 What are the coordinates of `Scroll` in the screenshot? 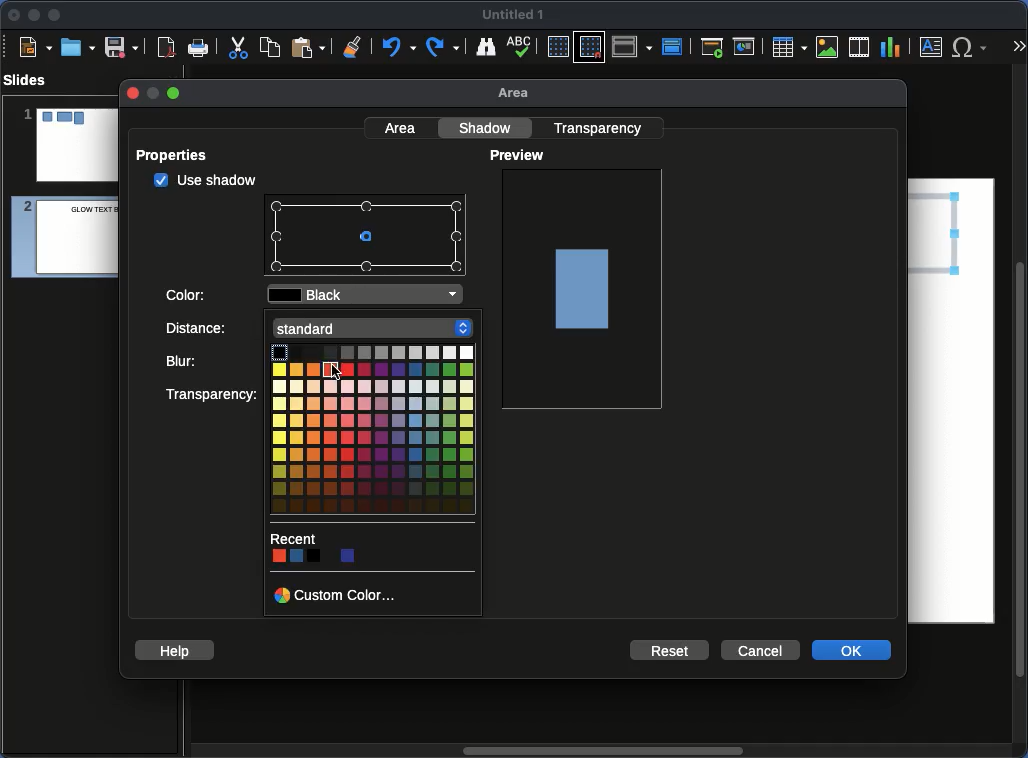 It's located at (599, 752).